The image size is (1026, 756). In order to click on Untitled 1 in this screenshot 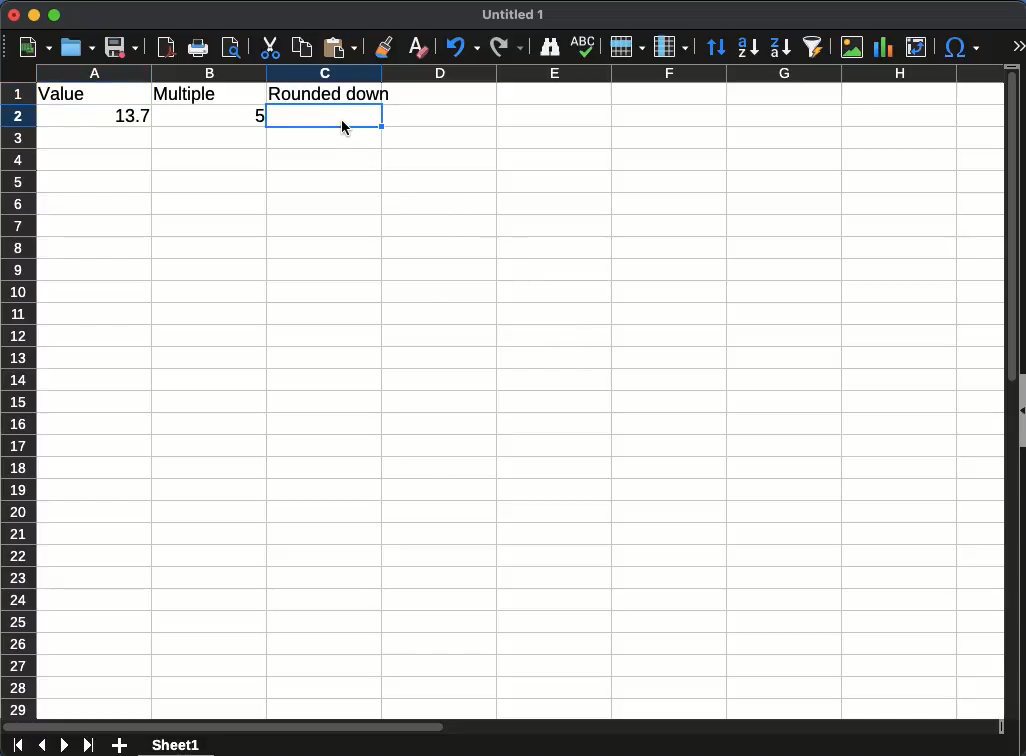, I will do `click(514, 16)`.